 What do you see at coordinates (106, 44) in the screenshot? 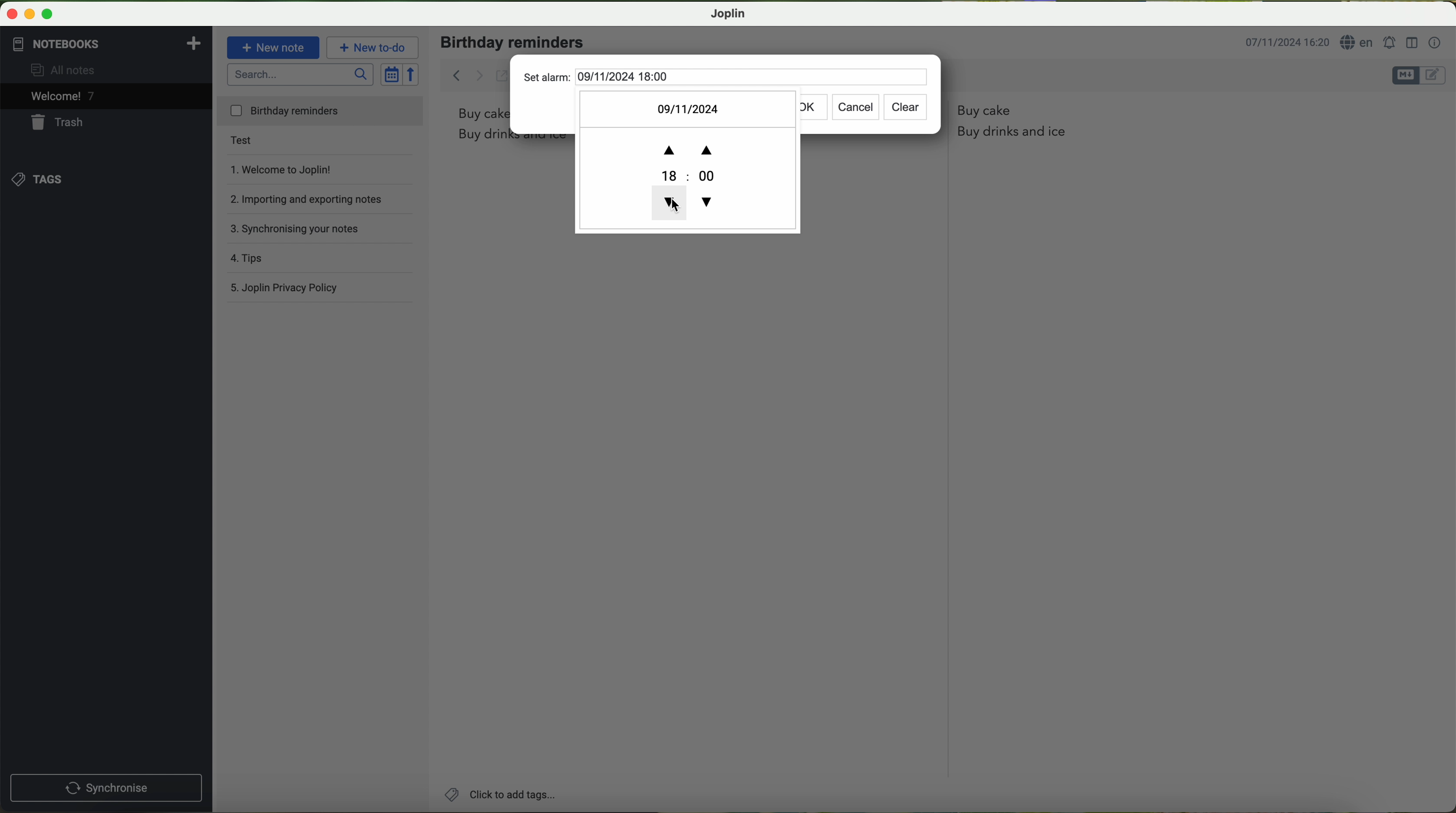
I see `notebooks tab` at bounding box center [106, 44].